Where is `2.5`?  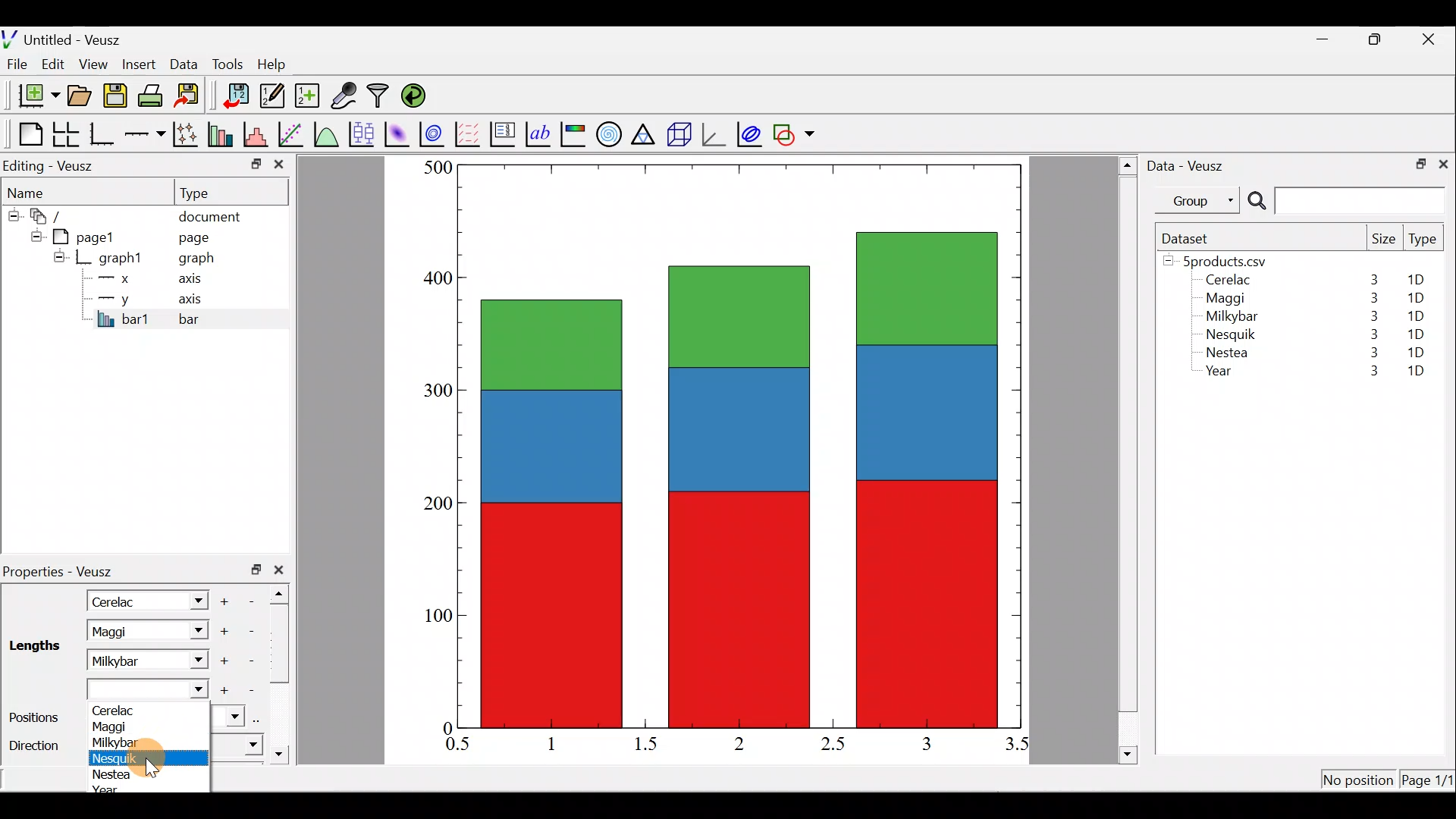 2.5 is located at coordinates (833, 744).